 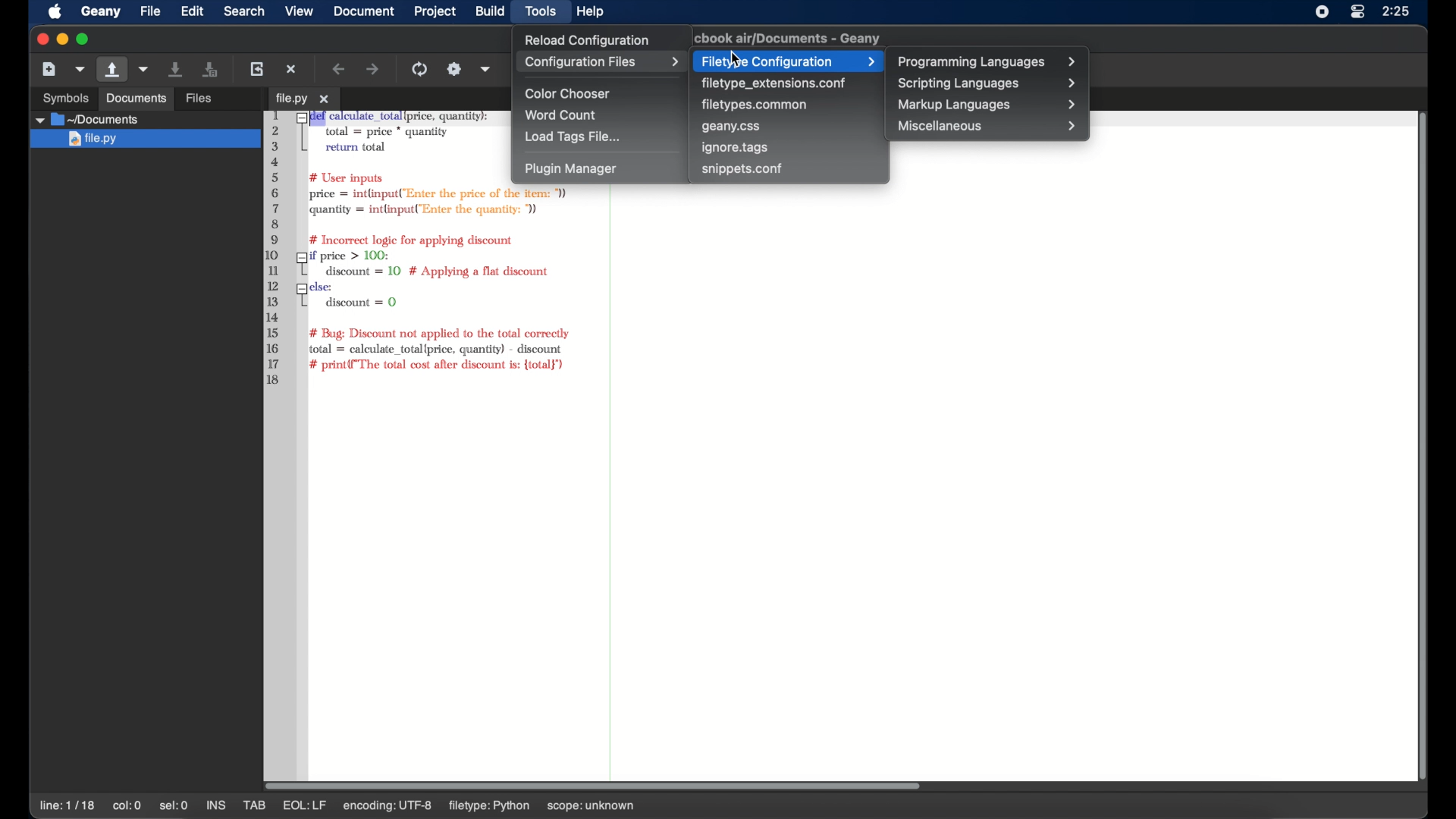 I want to click on color chooser , so click(x=570, y=94).